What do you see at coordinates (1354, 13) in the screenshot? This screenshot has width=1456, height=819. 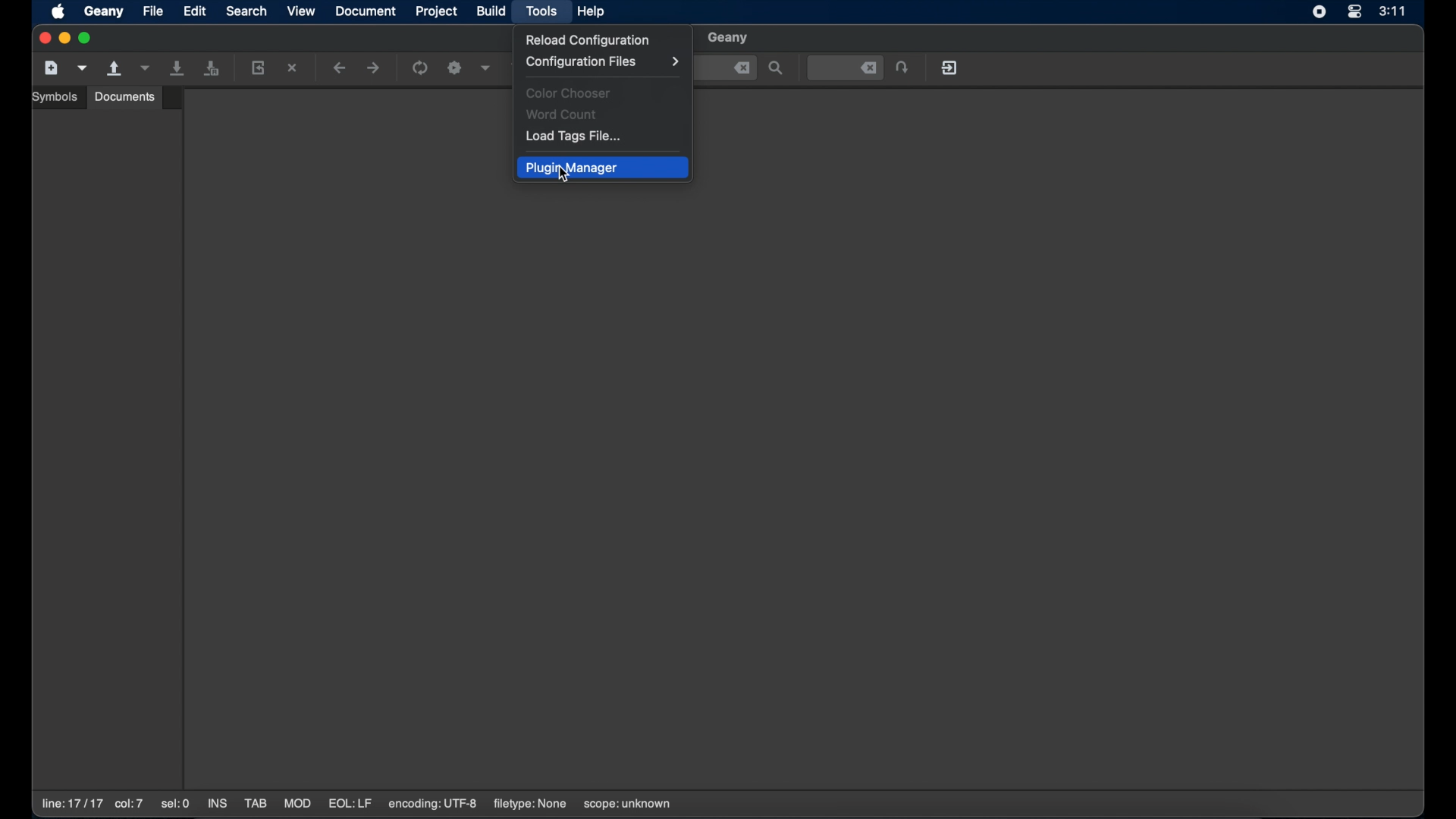 I see `control center` at bounding box center [1354, 13].